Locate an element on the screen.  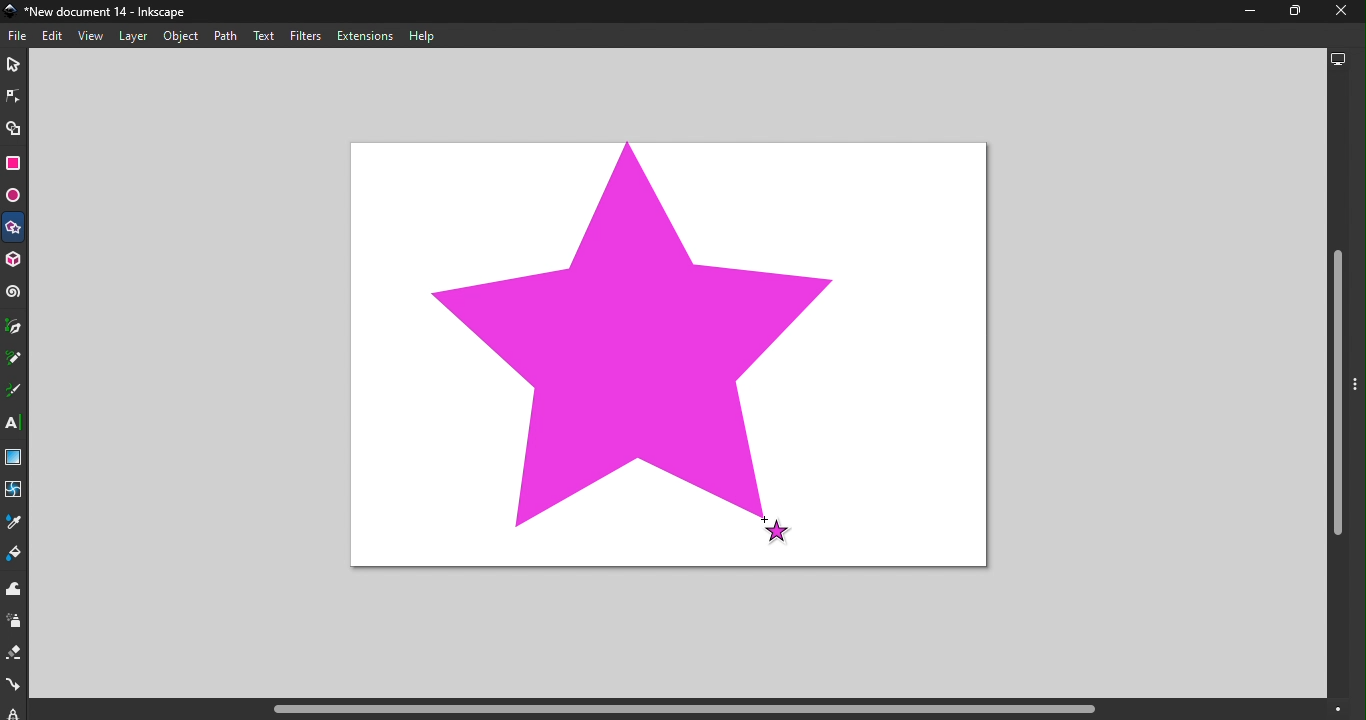
Canvas is located at coordinates (666, 357).